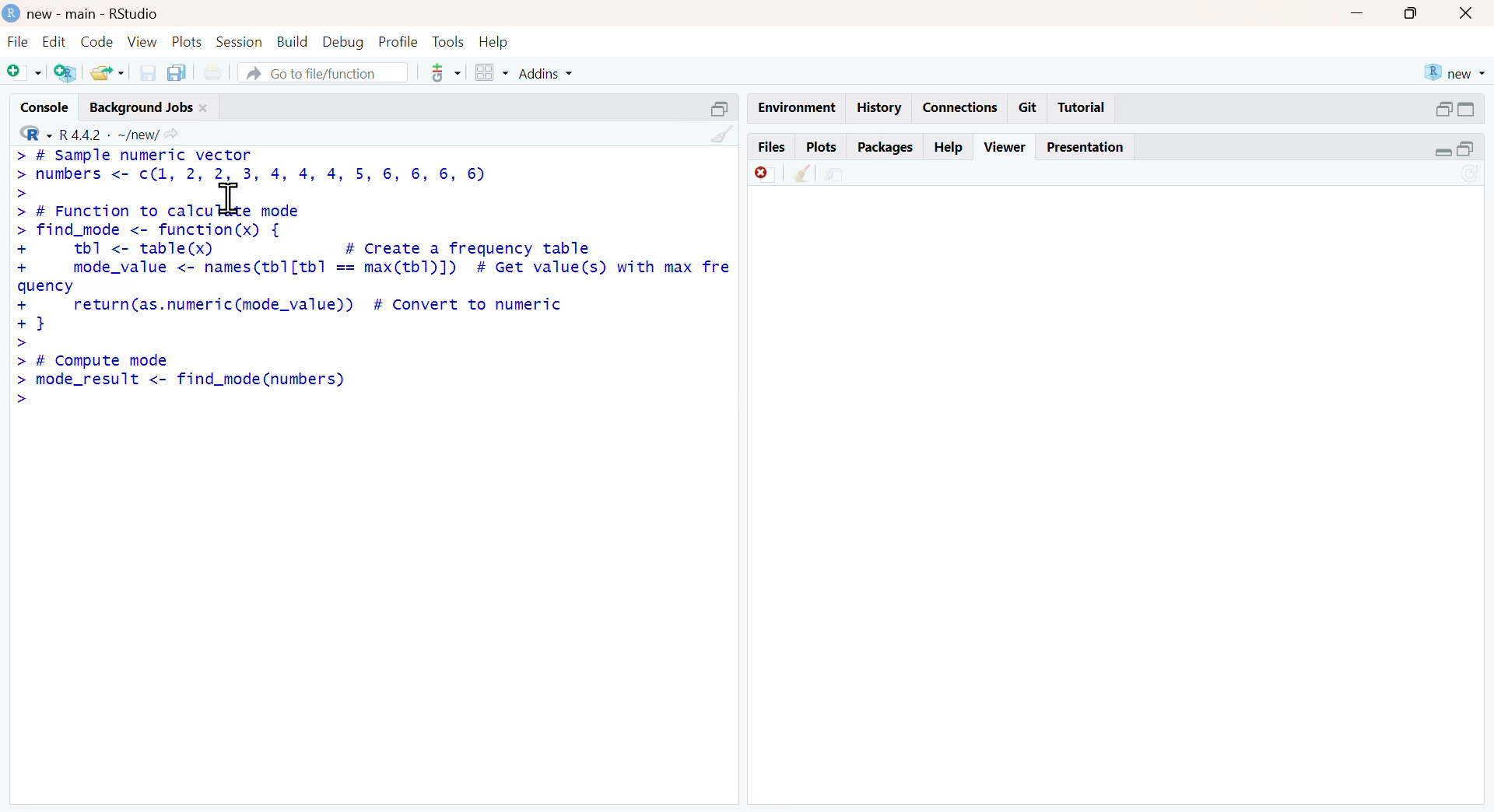 Image resolution: width=1494 pixels, height=812 pixels. Describe the element at coordinates (1442, 152) in the screenshot. I see `expand/collapse ` at that location.